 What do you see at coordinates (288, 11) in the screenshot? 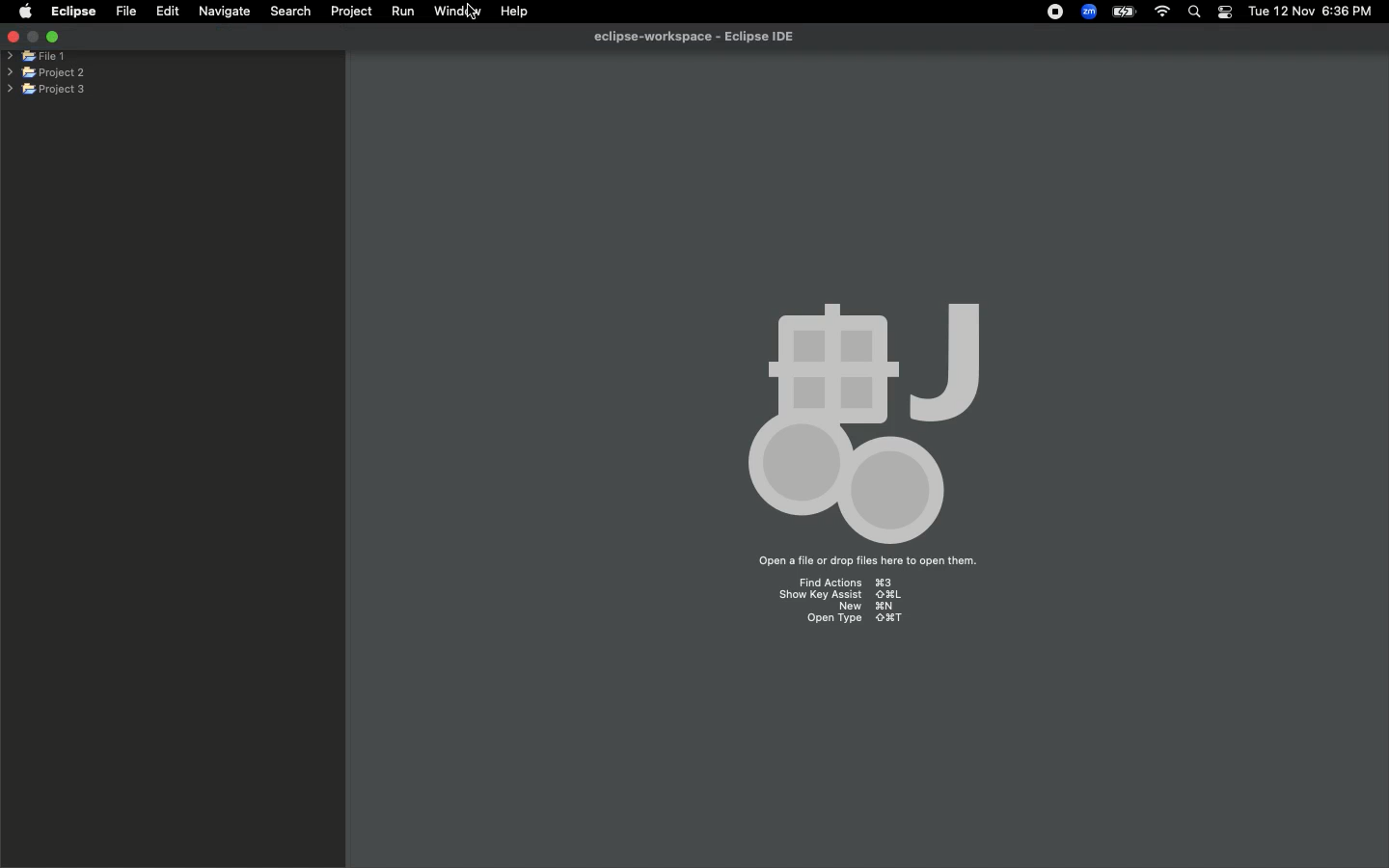
I see `Search` at bounding box center [288, 11].